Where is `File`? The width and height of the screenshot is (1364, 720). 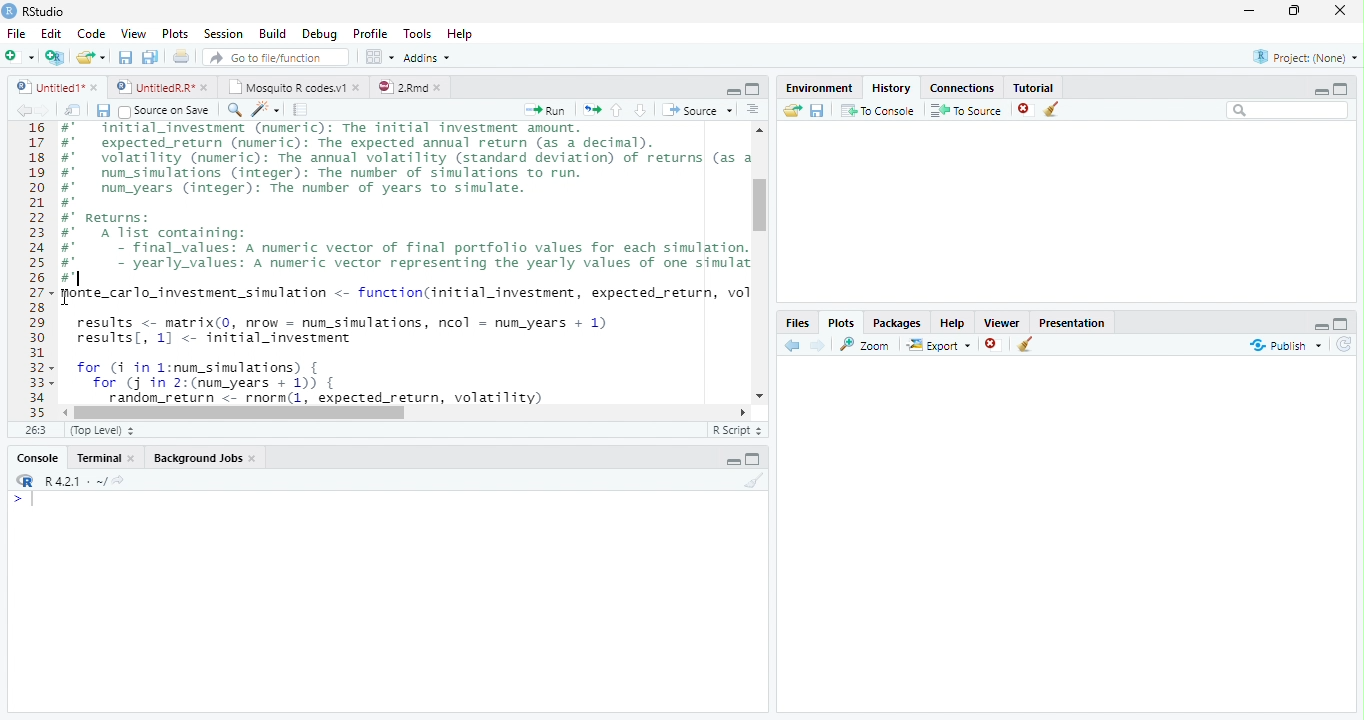
File is located at coordinates (15, 33).